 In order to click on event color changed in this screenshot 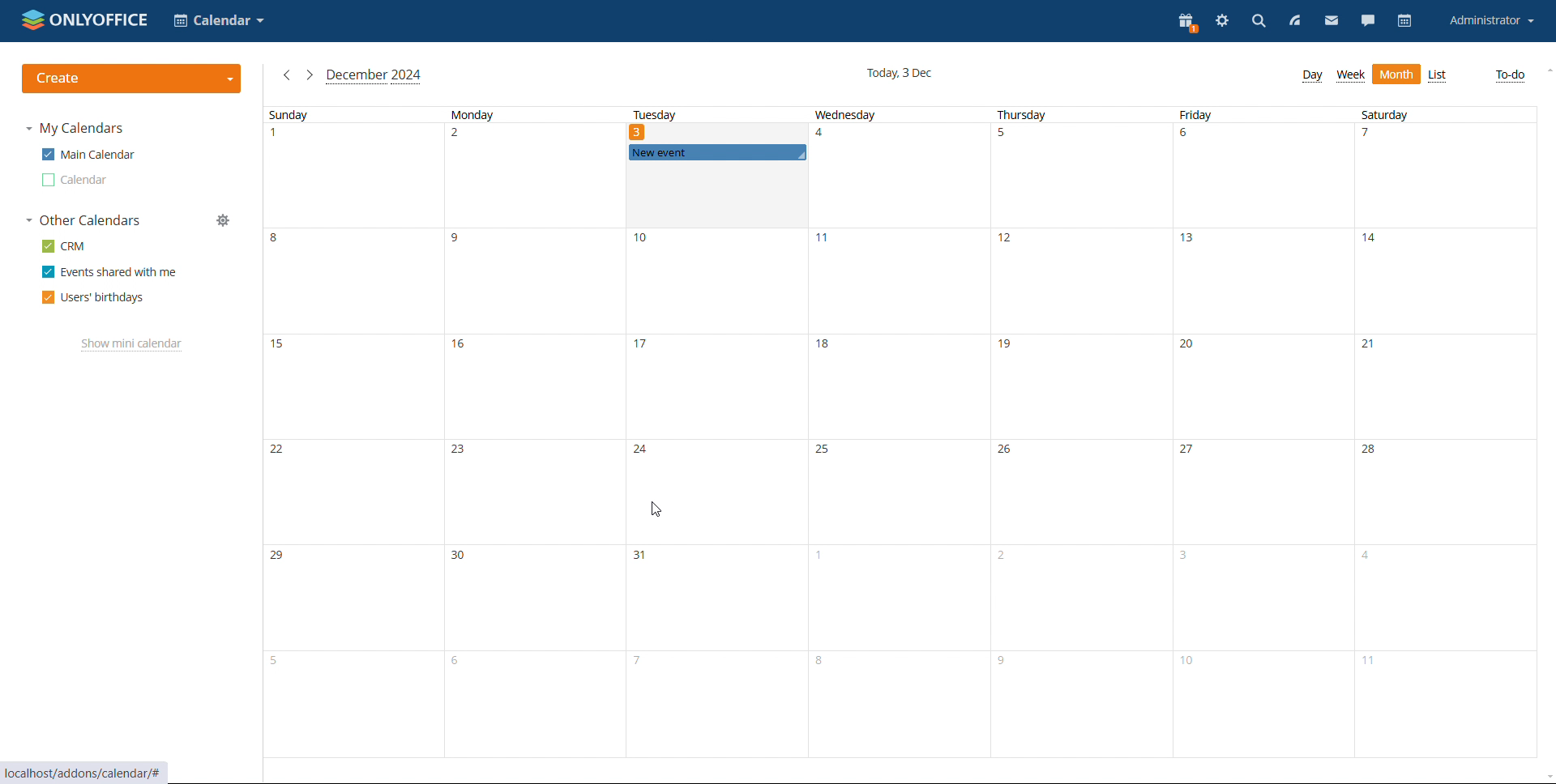, I will do `click(716, 153)`.